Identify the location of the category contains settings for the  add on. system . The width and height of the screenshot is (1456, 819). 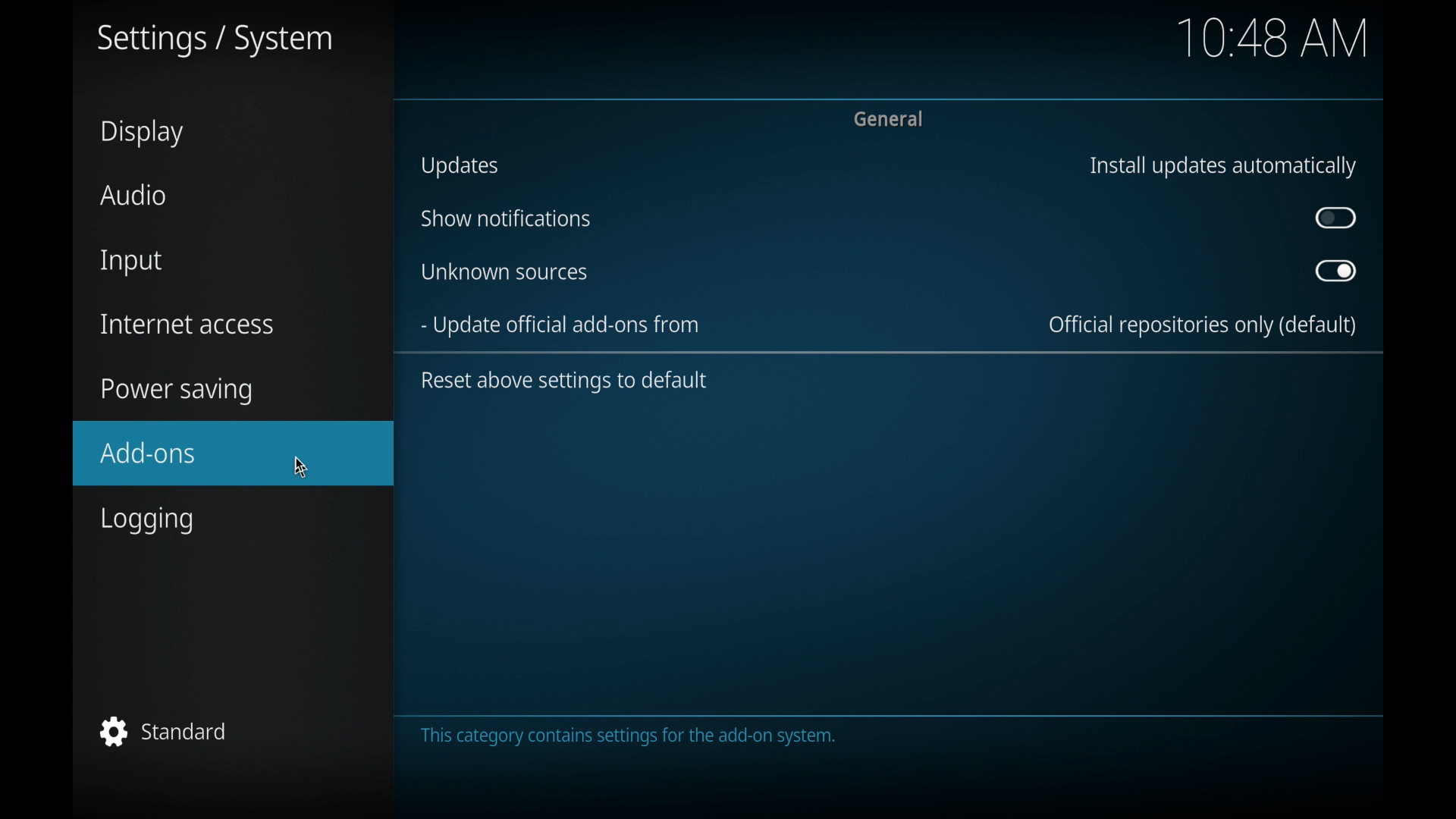
(635, 734).